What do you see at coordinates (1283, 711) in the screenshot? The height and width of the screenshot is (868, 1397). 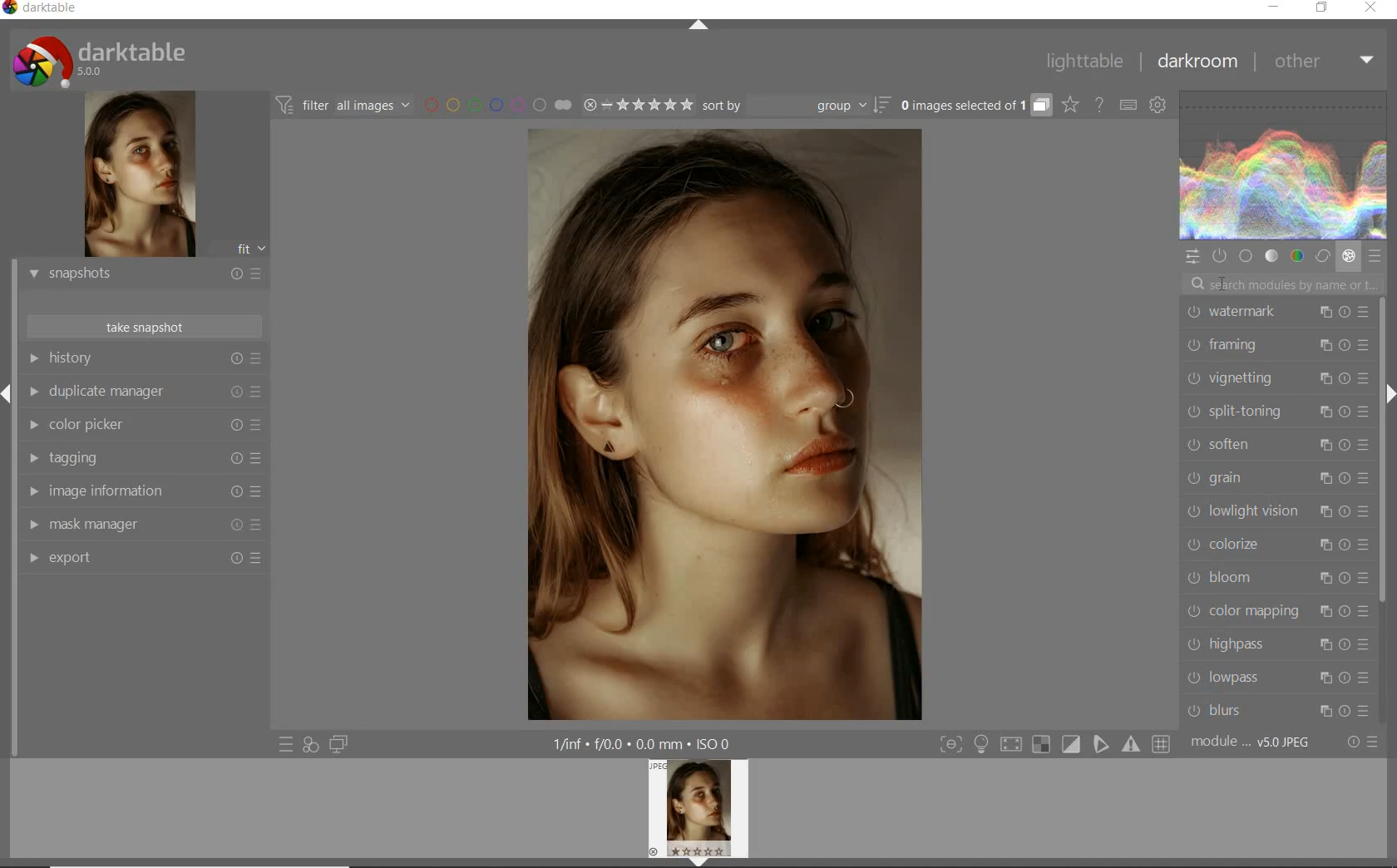 I see `blurs` at bounding box center [1283, 711].